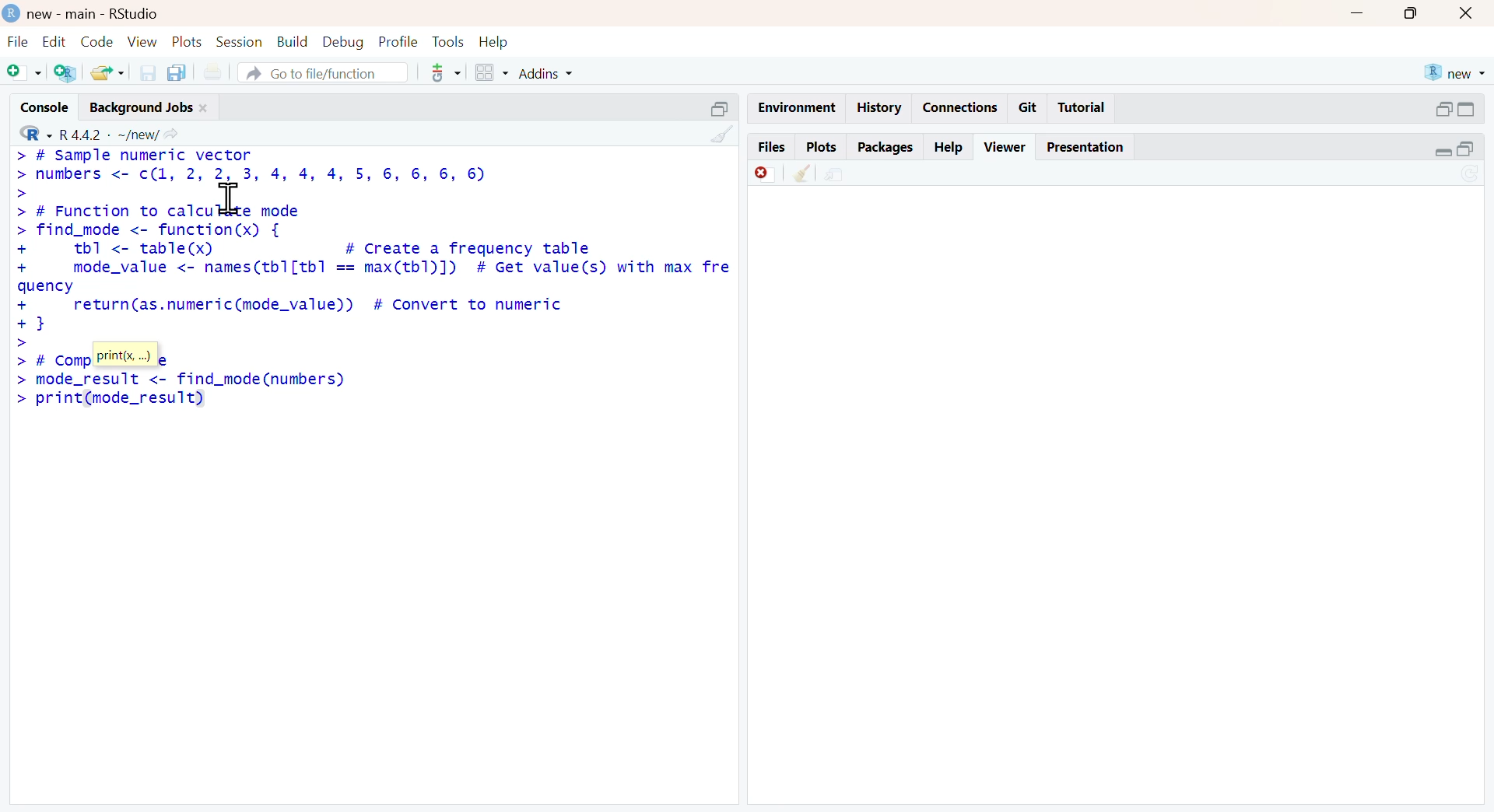  What do you see at coordinates (26, 73) in the screenshot?
I see `add file as` at bounding box center [26, 73].